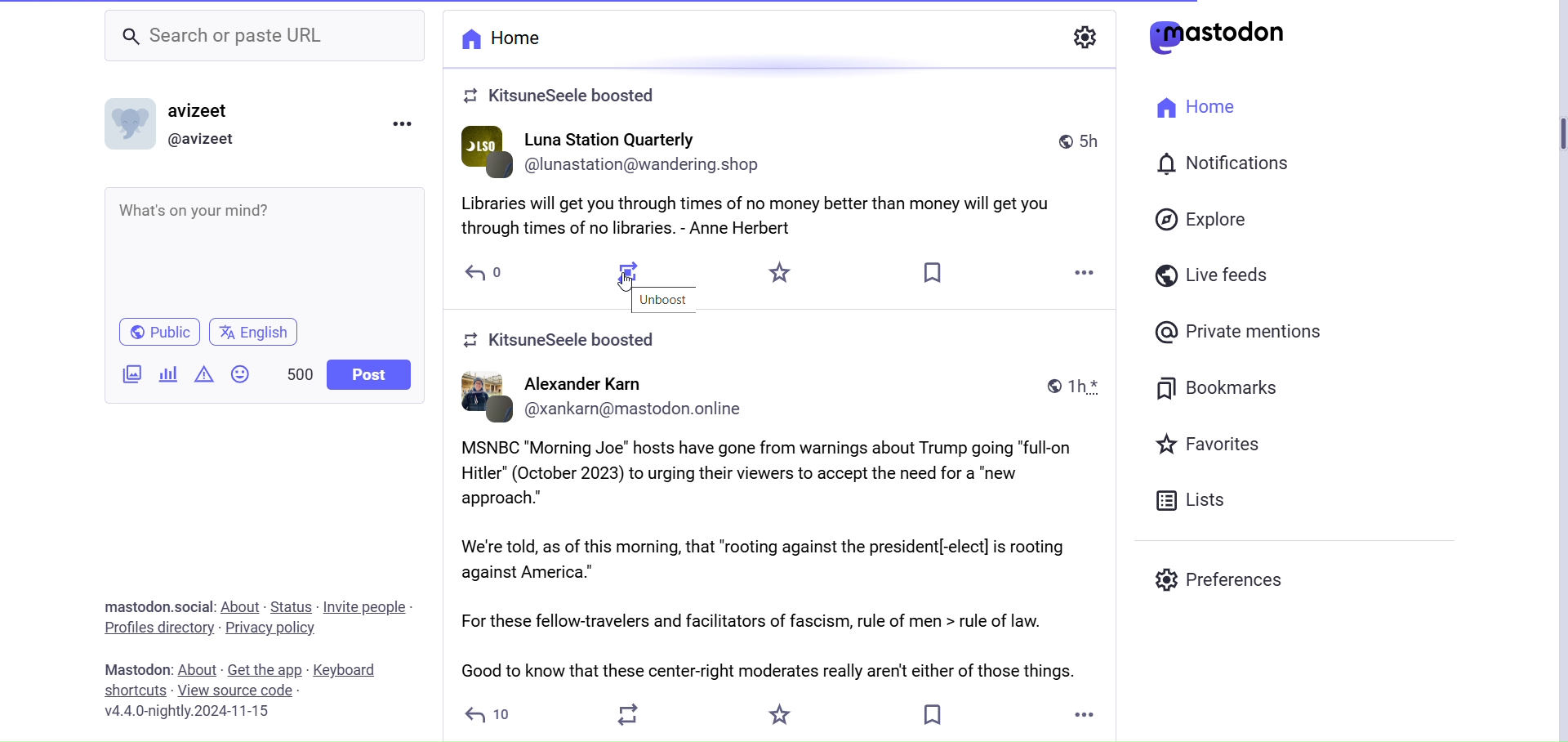 The height and width of the screenshot is (742, 1568). Describe the element at coordinates (1084, 37) in the screenshot. I see `Show Settings` at that location.